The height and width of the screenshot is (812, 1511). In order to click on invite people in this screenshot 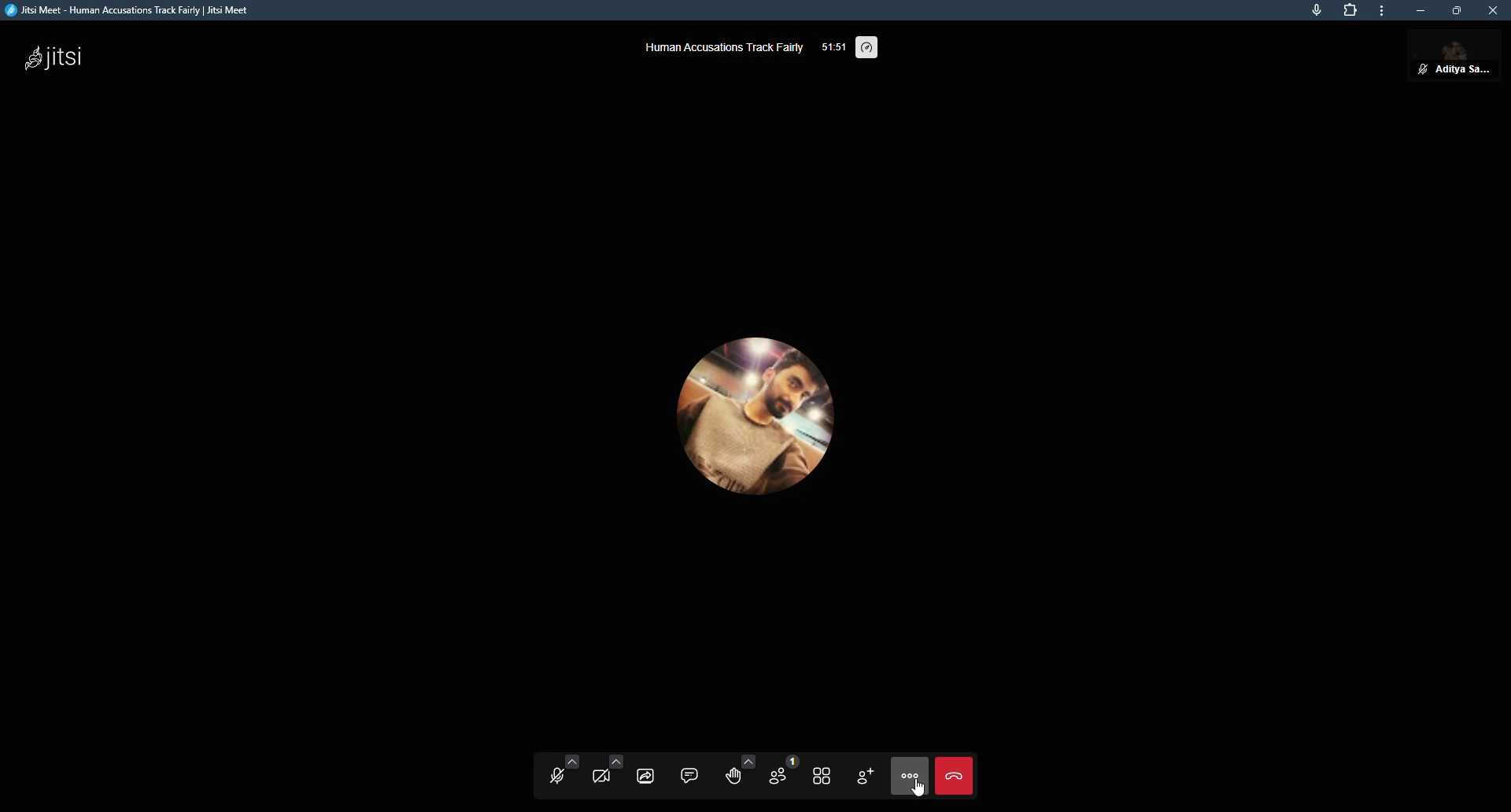, I will do `click(865, 776)`.